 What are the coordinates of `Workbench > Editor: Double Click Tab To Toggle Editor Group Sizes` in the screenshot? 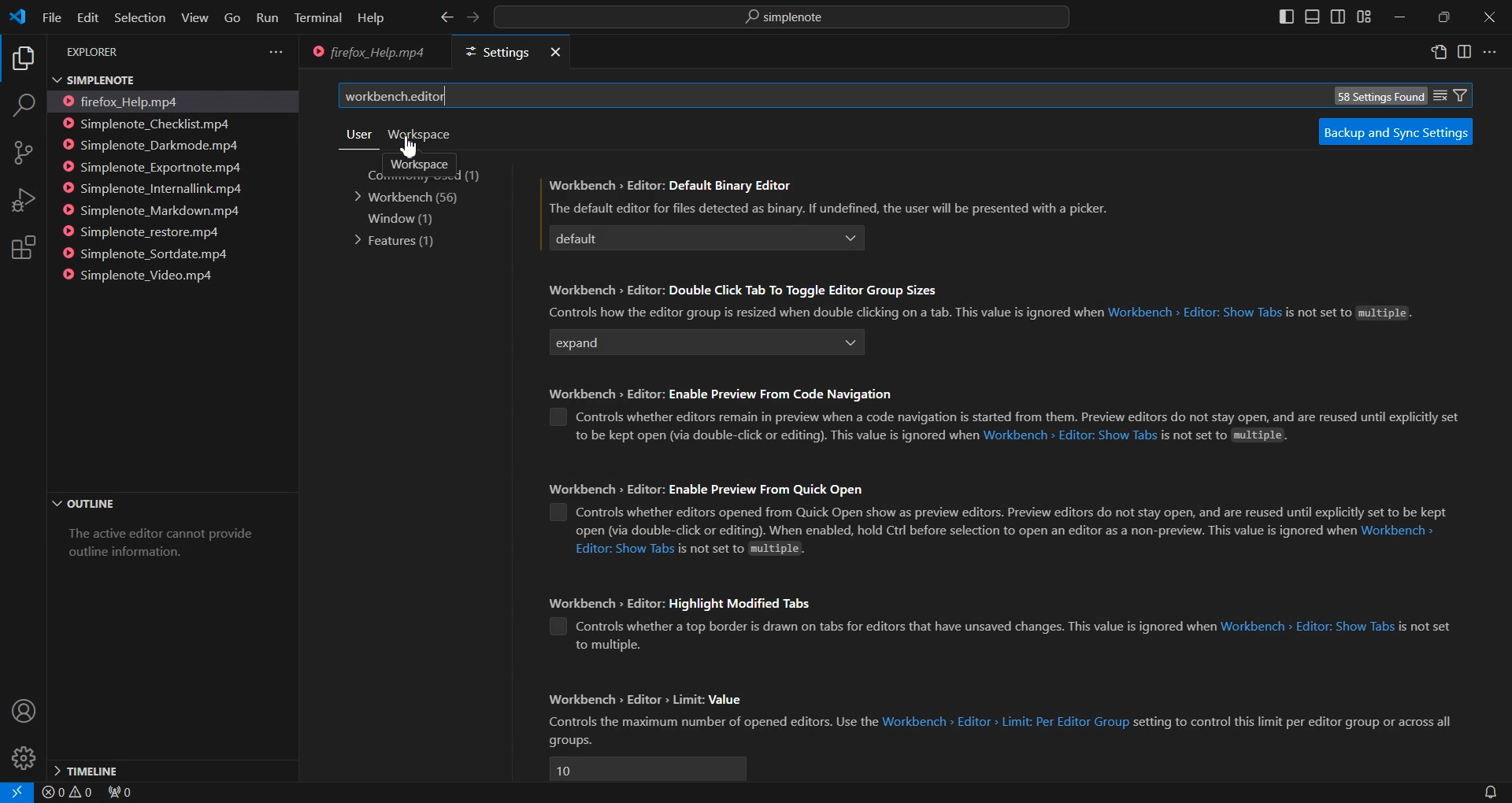 It's located at (745, 290).